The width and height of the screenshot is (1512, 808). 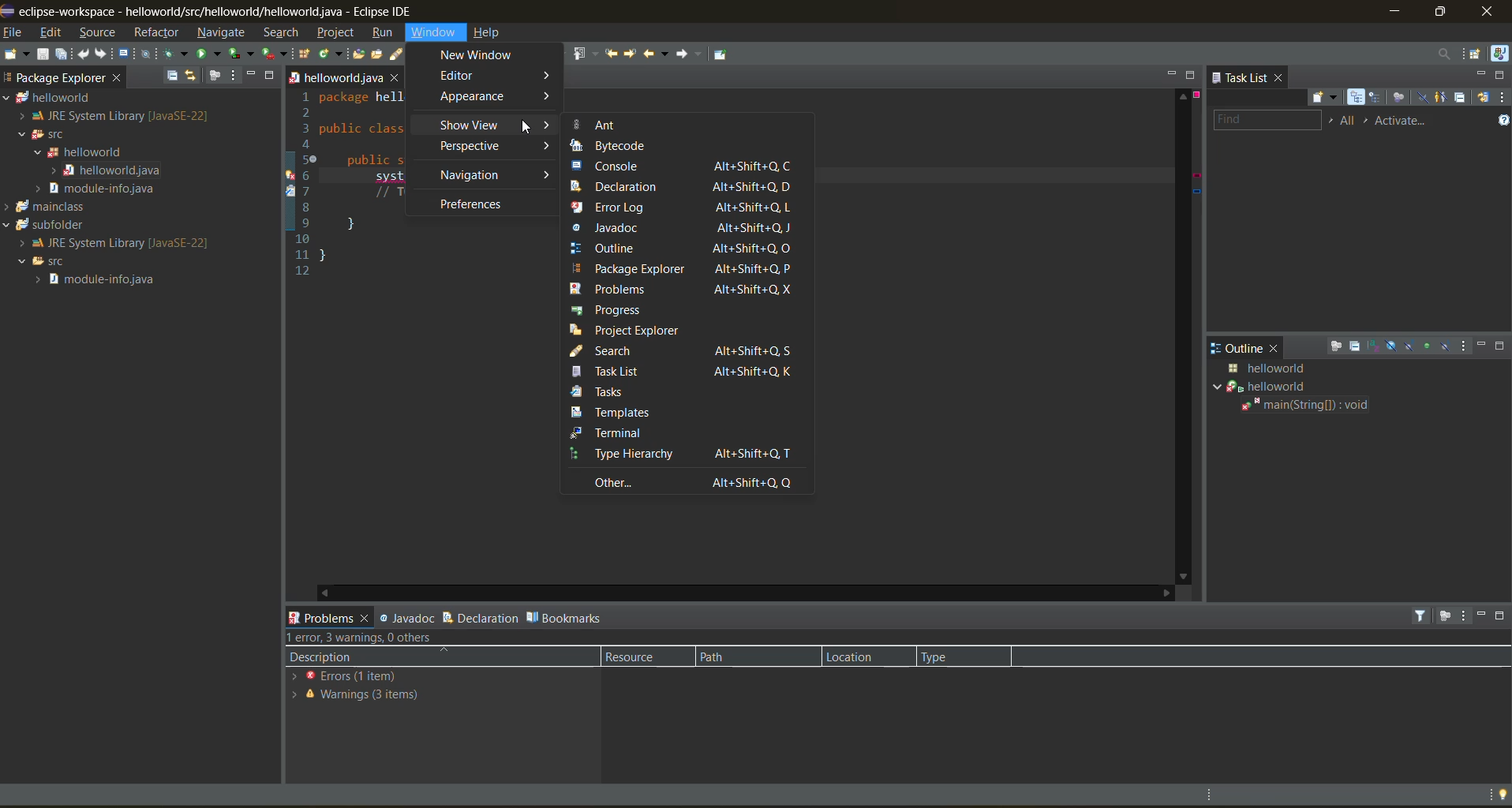 I want to click on hide static fields and methods, so click(x=1414, y=346).